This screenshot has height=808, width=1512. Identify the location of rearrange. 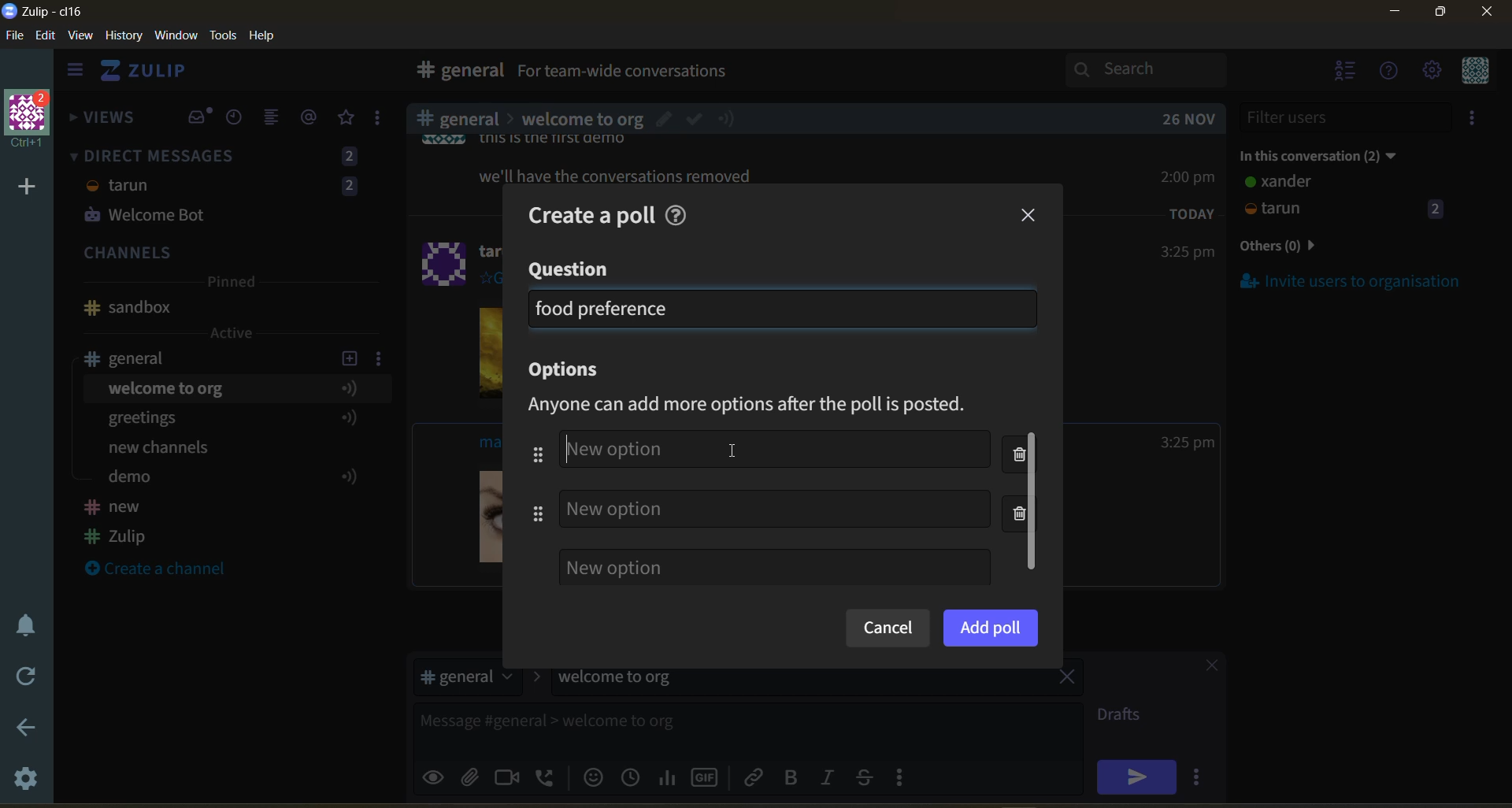
(533, 484).